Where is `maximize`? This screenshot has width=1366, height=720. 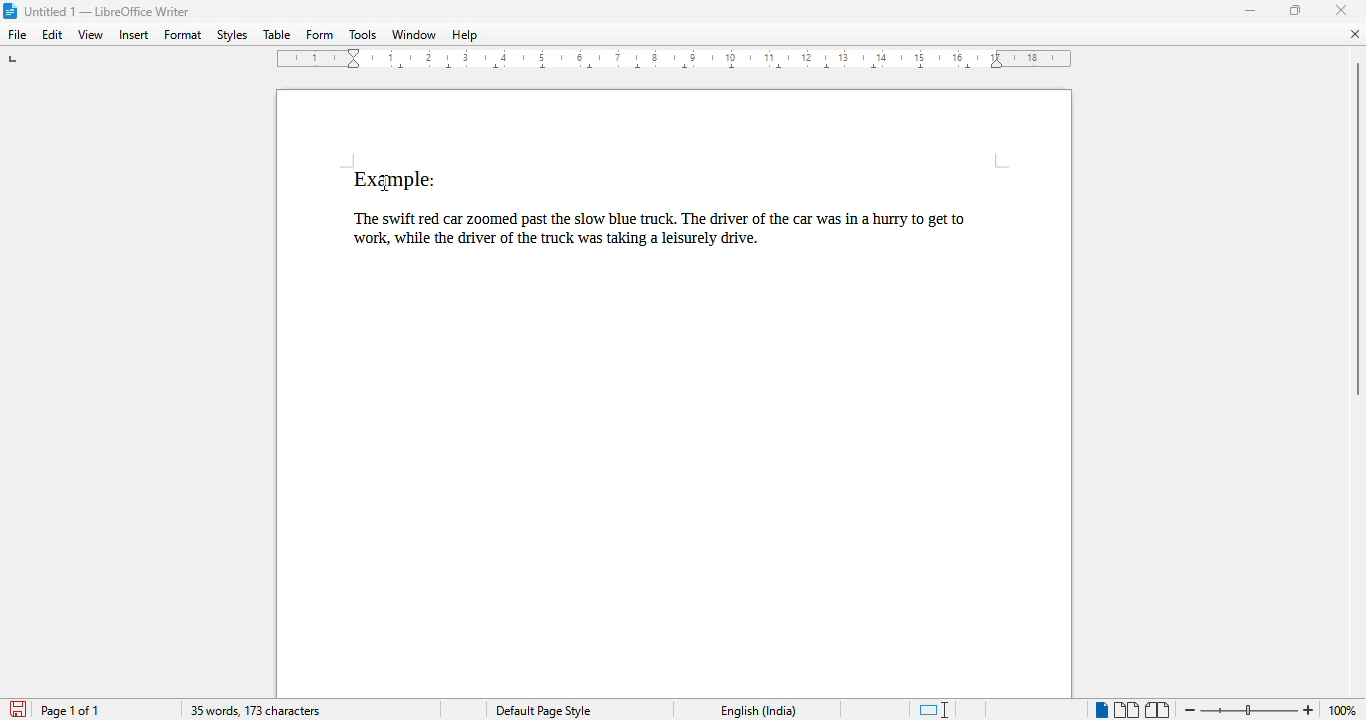
maximize is located at coordinates (1295, 9).